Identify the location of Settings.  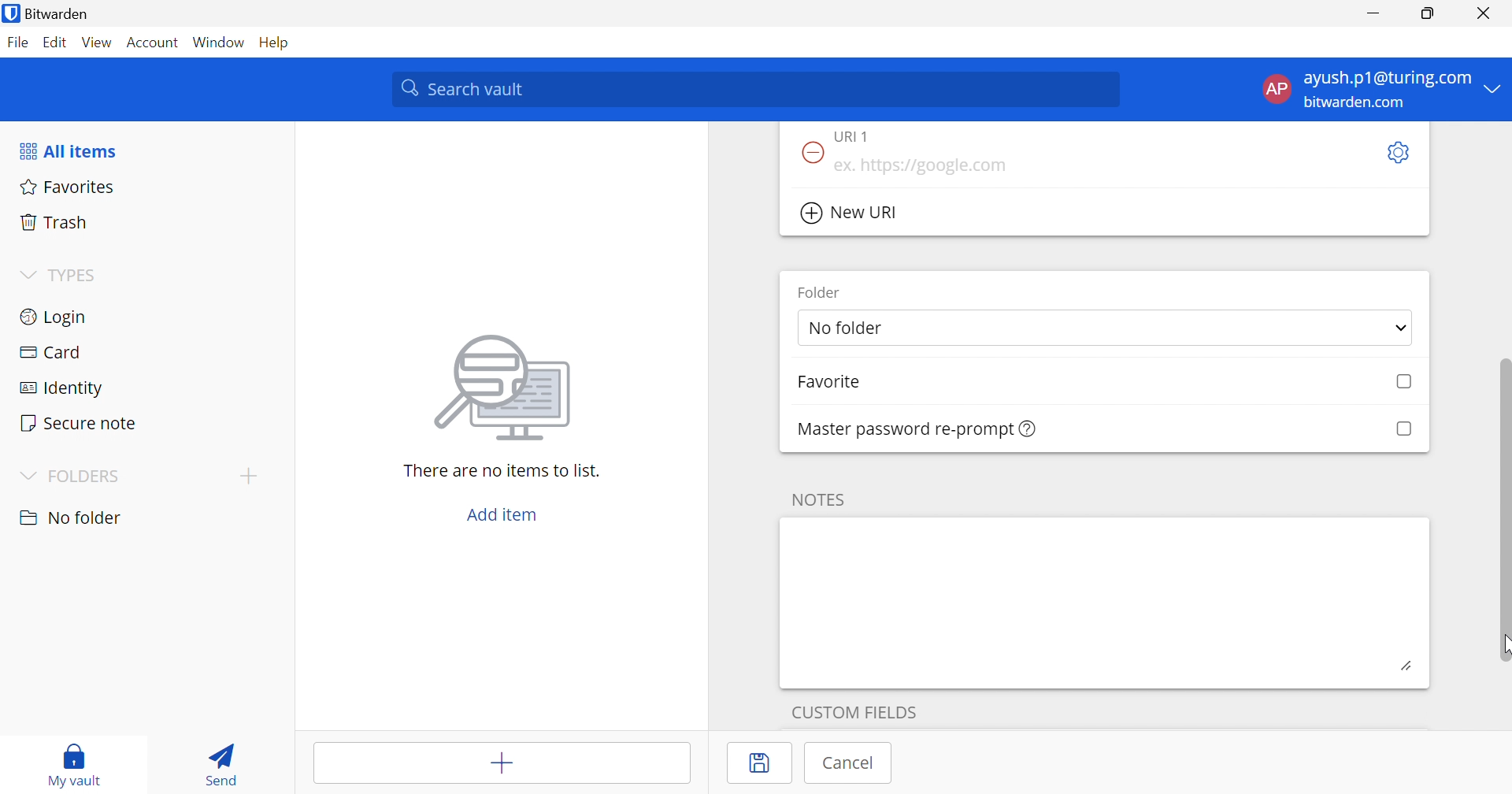
(1396, 154).